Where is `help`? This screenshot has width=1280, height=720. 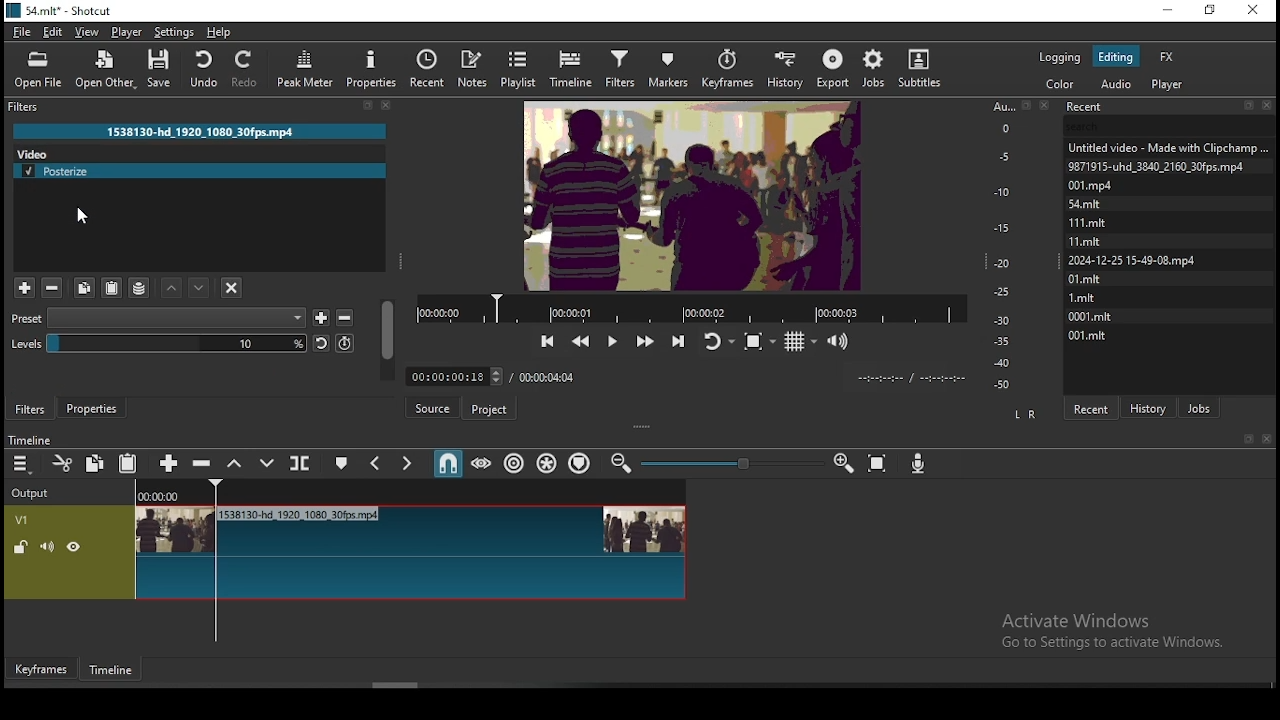
help is located at coordinates (223, 32).